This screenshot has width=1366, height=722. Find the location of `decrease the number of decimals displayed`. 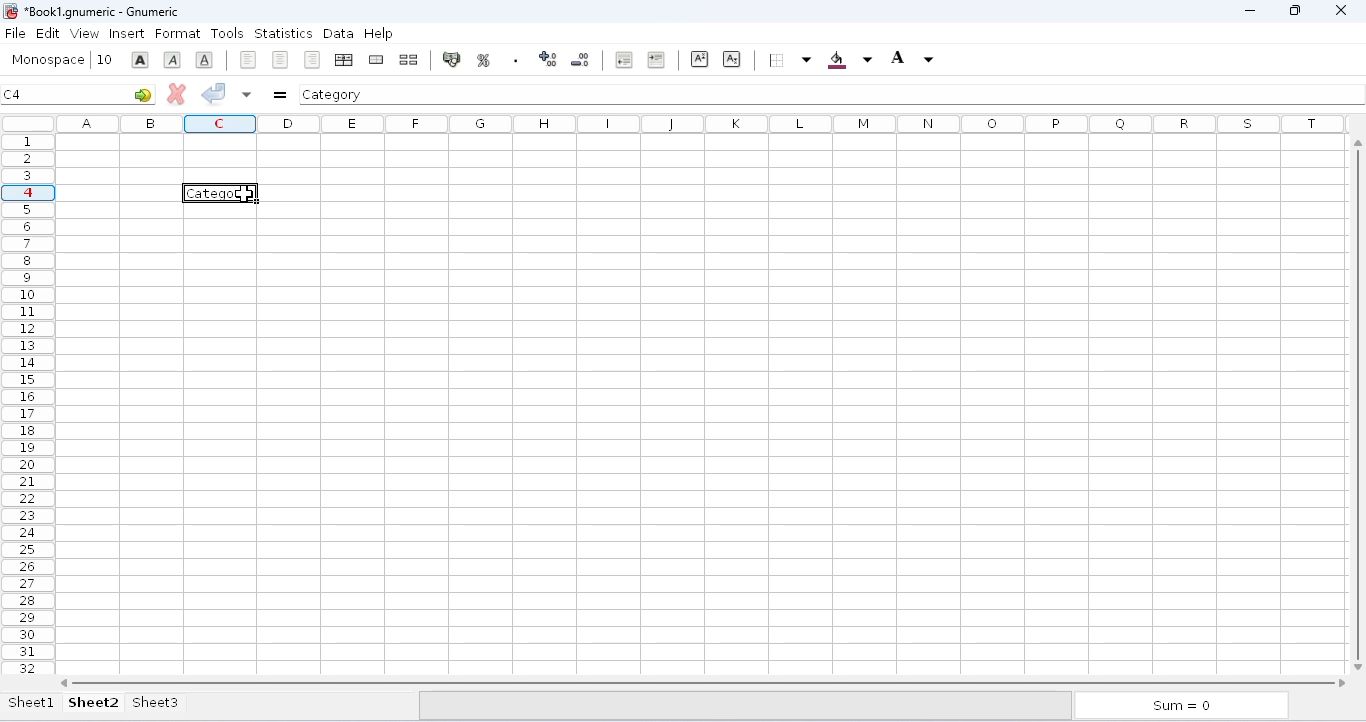

decrease the number of decimals displayed is located at coordinates (581, 59).